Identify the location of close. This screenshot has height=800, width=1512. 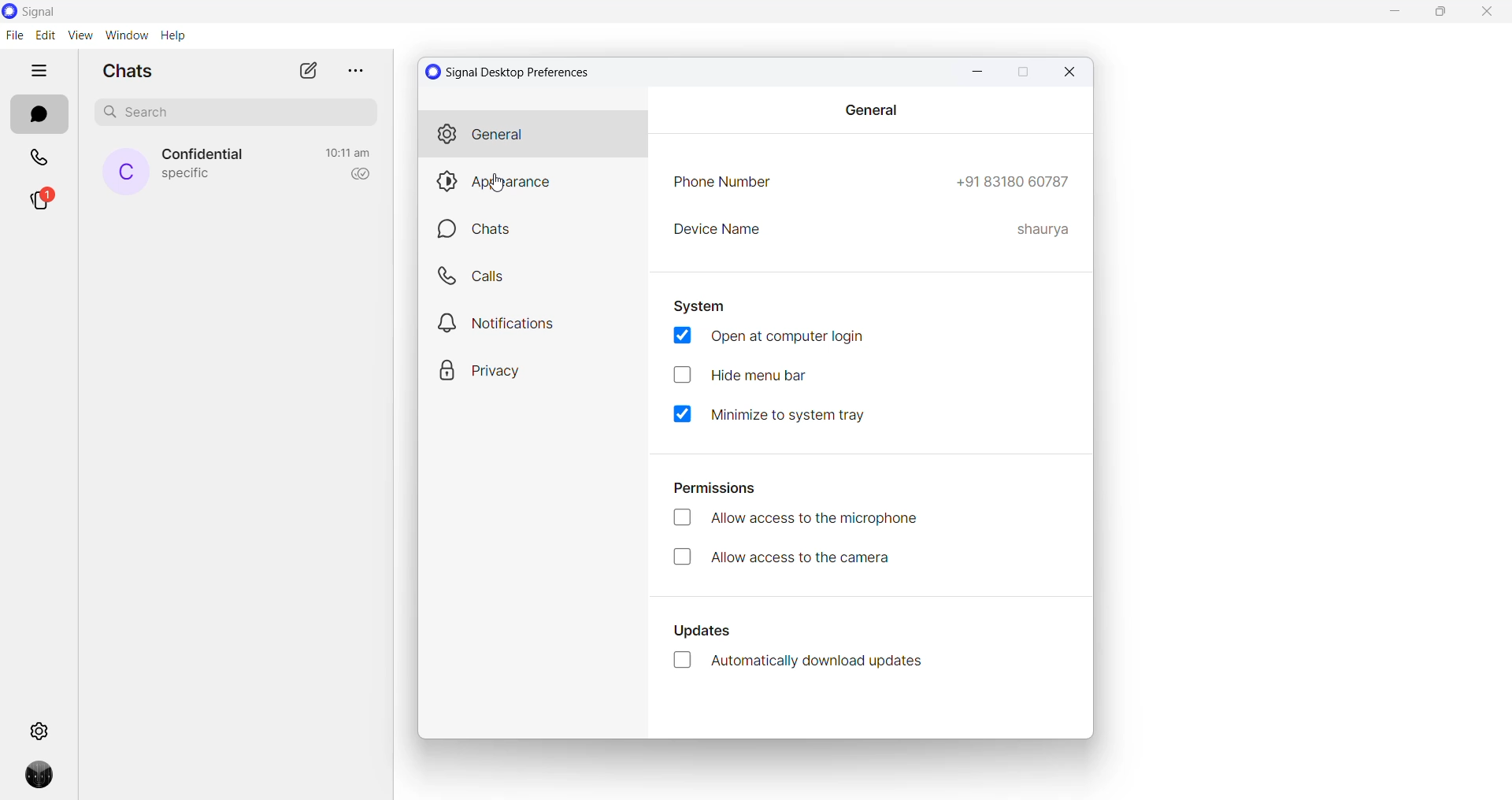
(1071, 72).